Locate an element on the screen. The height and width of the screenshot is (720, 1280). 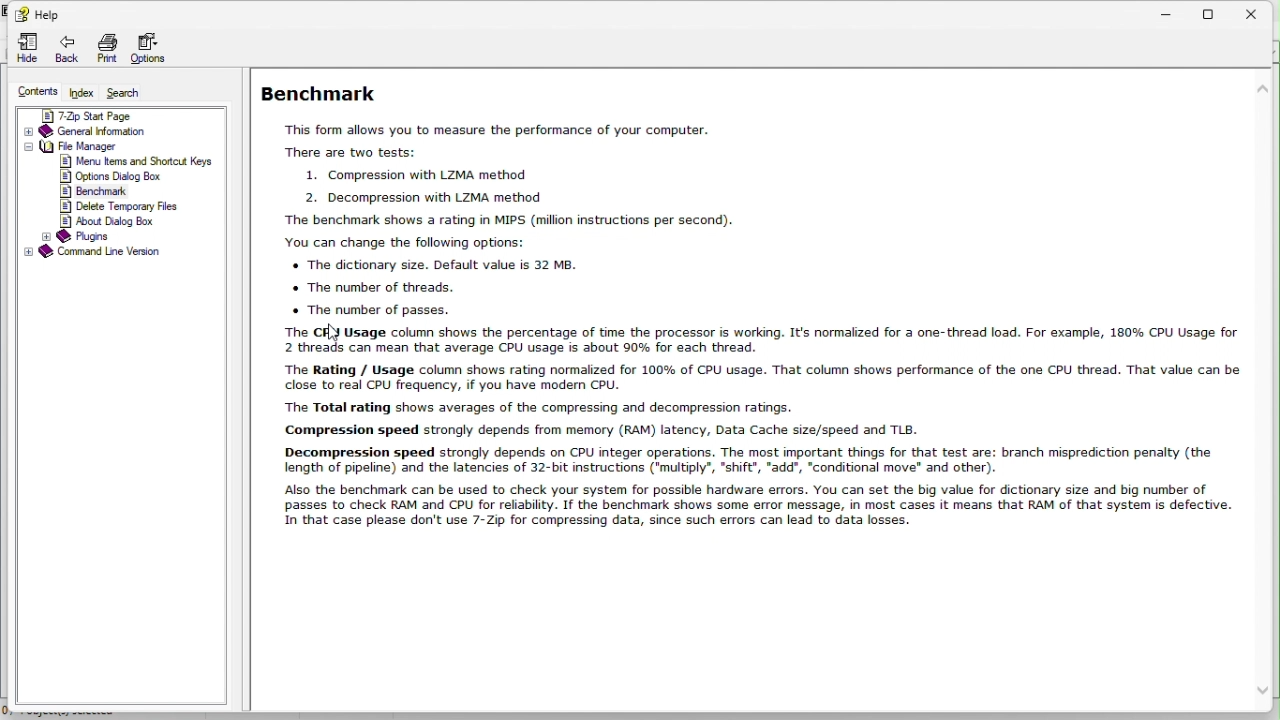
File manager is located at coordinates (112, 146).